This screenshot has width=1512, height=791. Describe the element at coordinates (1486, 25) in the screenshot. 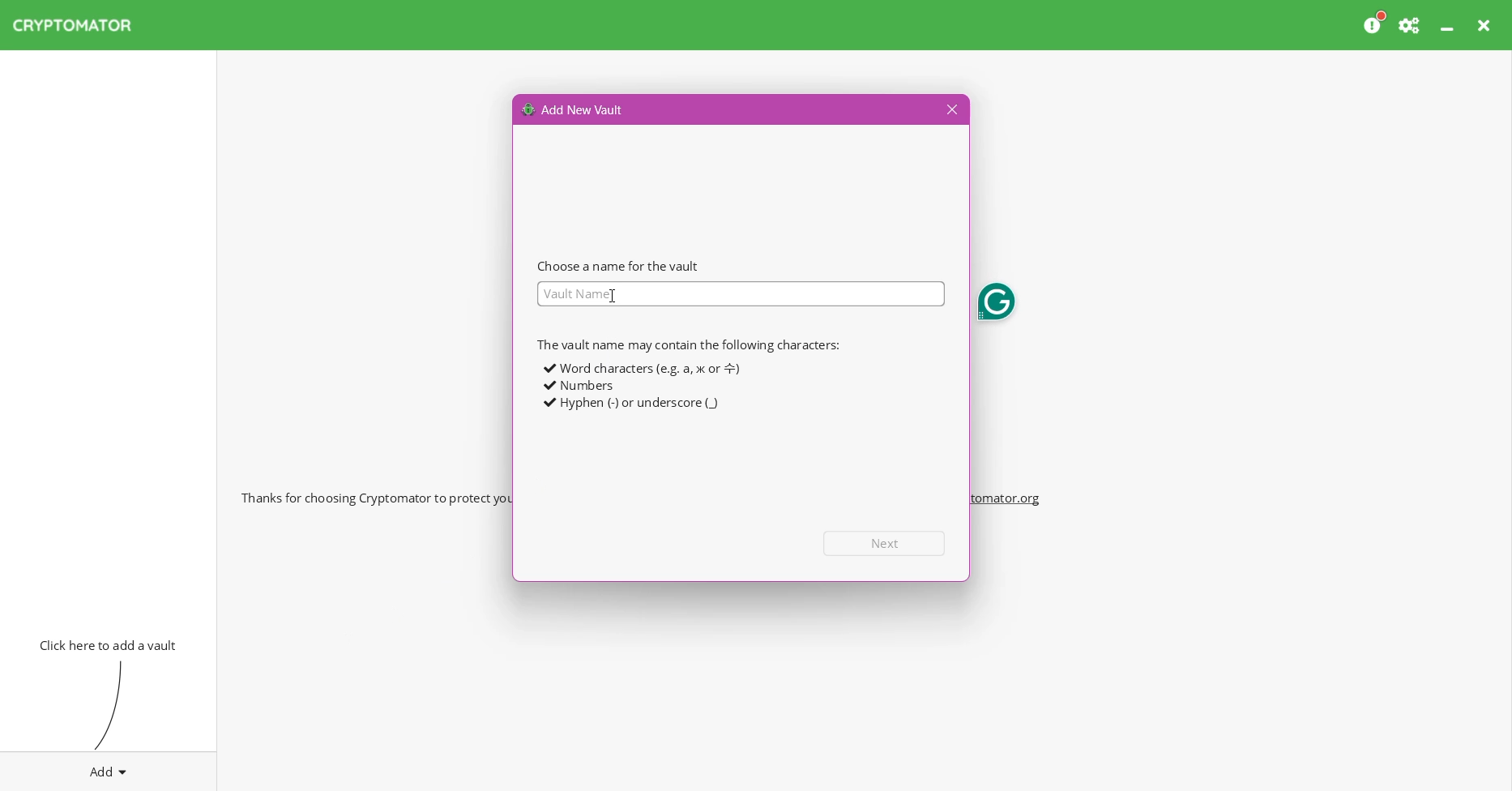

I see `Close` at that location.